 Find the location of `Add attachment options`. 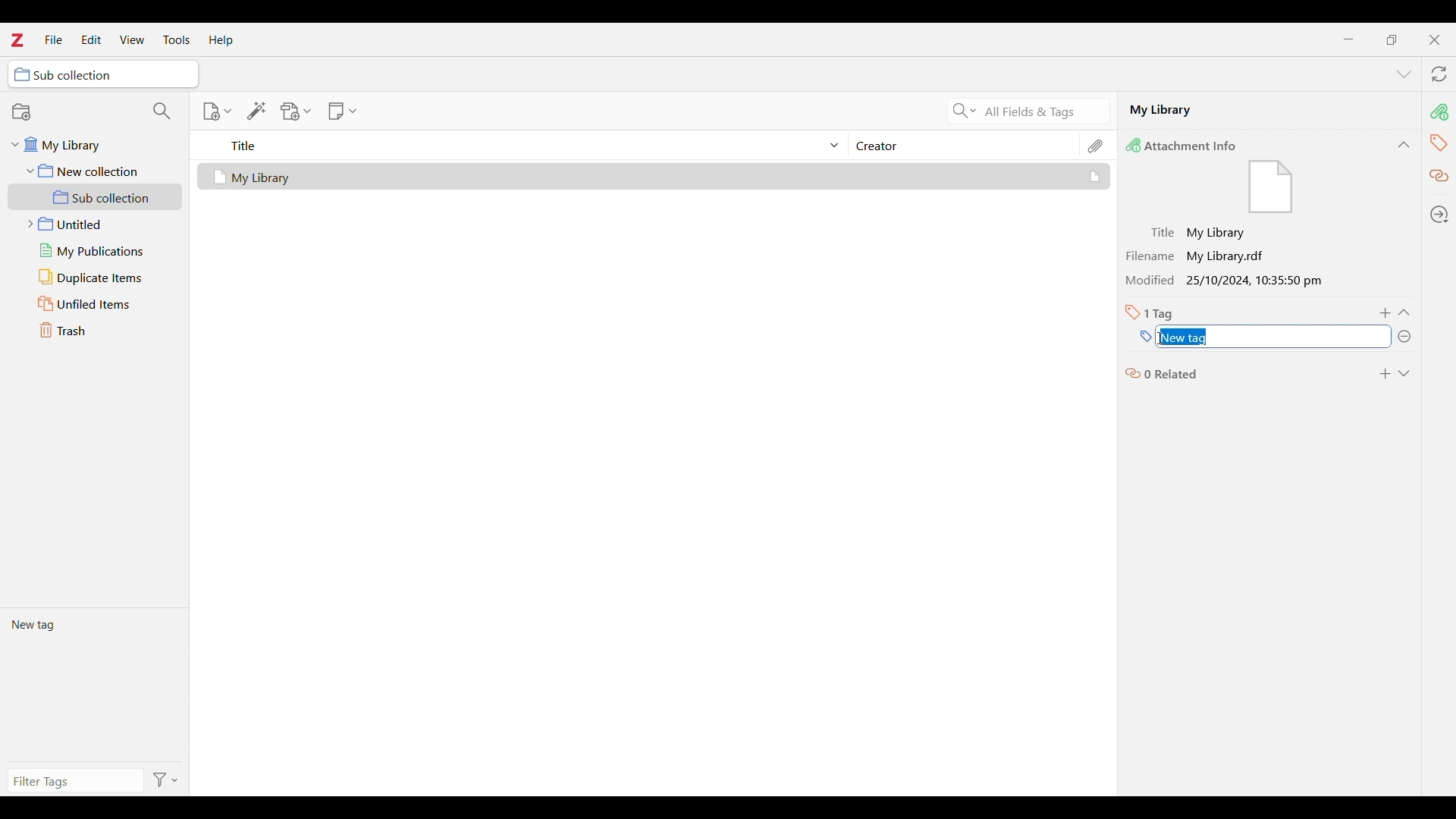

Add attachment options is located at coordinates (297, 111).